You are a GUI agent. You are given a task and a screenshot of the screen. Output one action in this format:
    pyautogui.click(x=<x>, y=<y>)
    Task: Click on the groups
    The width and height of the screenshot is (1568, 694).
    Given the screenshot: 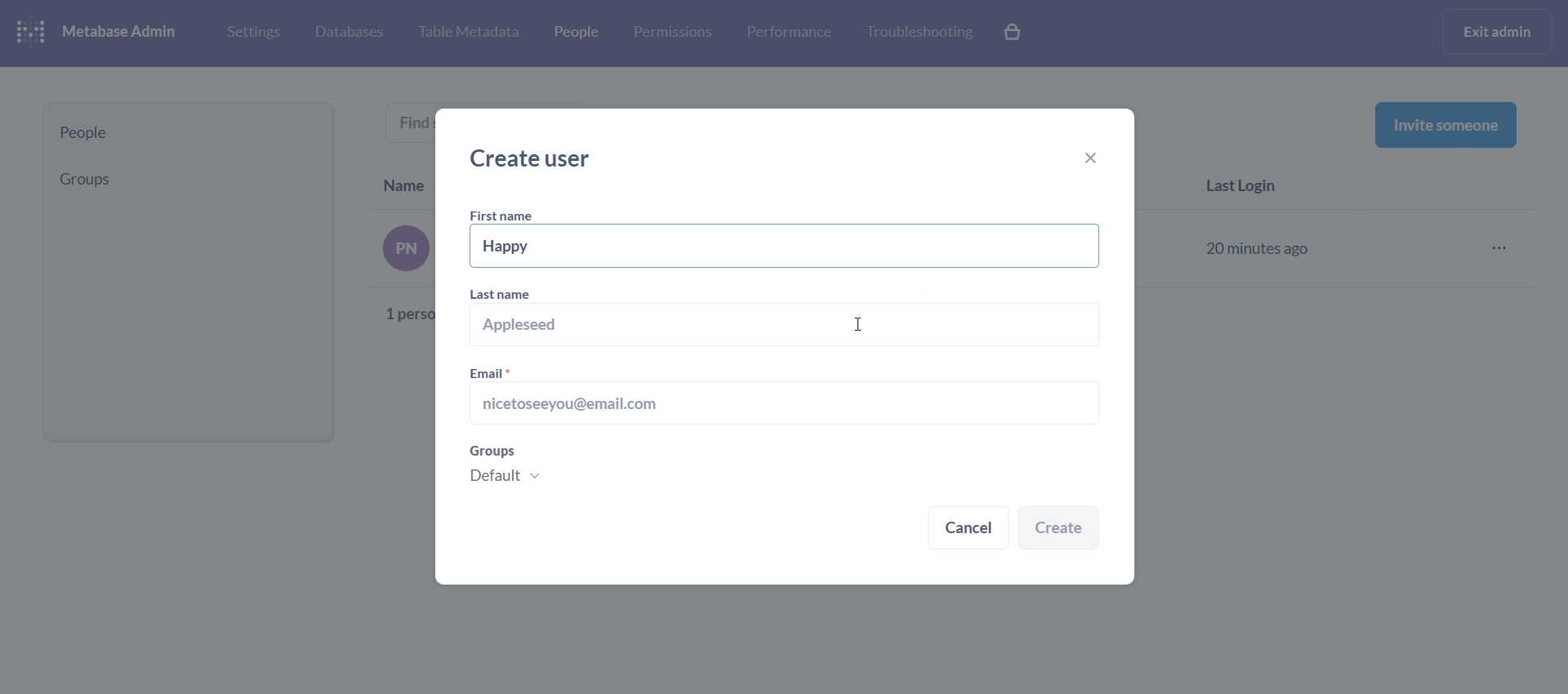 What is the action you would take?
    pyautogui.click(x=781, y=470)
    